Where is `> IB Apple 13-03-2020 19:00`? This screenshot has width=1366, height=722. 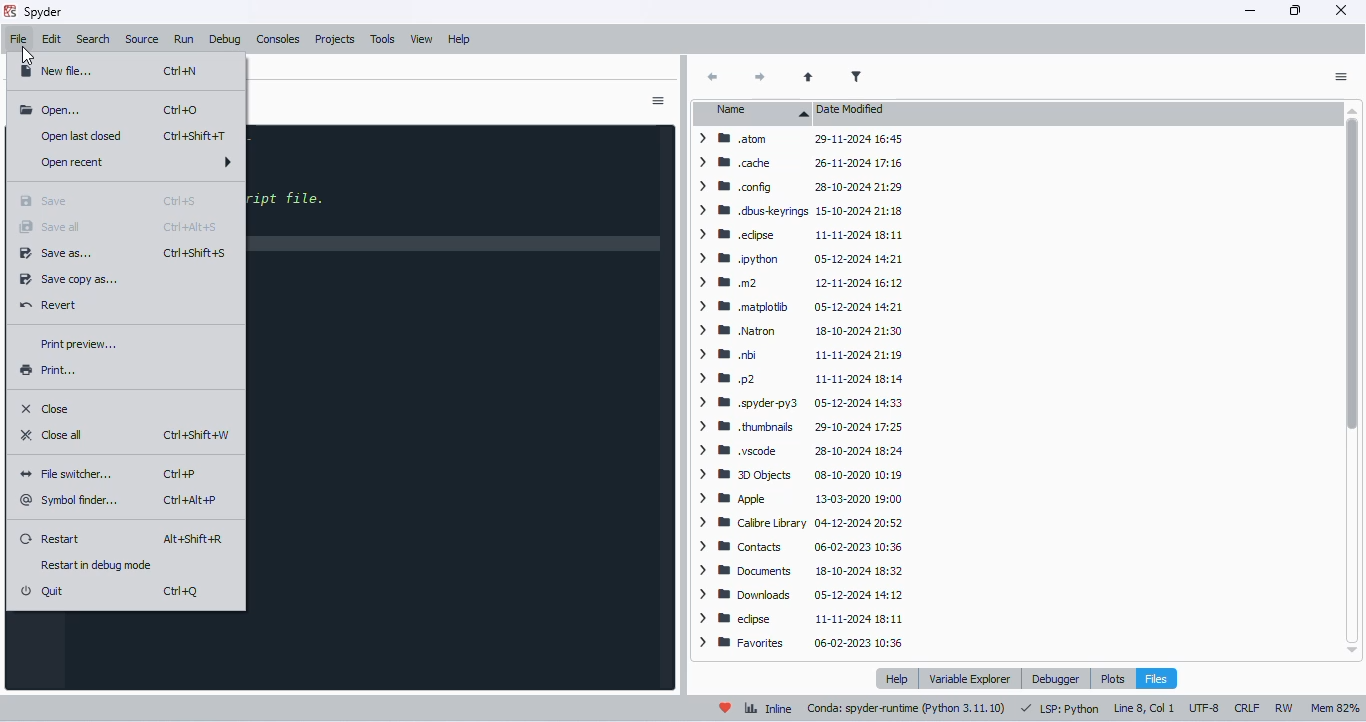 > IB Apple 13-03-2020 19:00 is located at coordinates (798, 499).